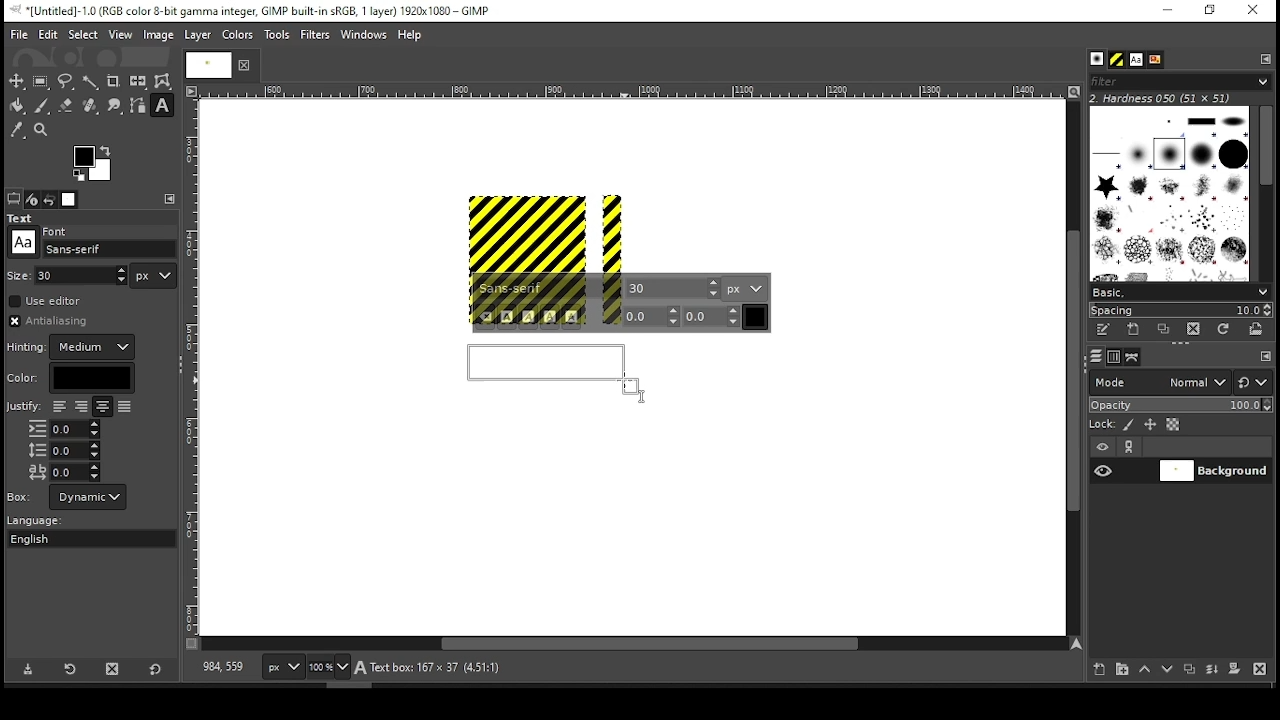  Describe the element at coordinates (154, 276) in the screenshot. I see `units` at that location.